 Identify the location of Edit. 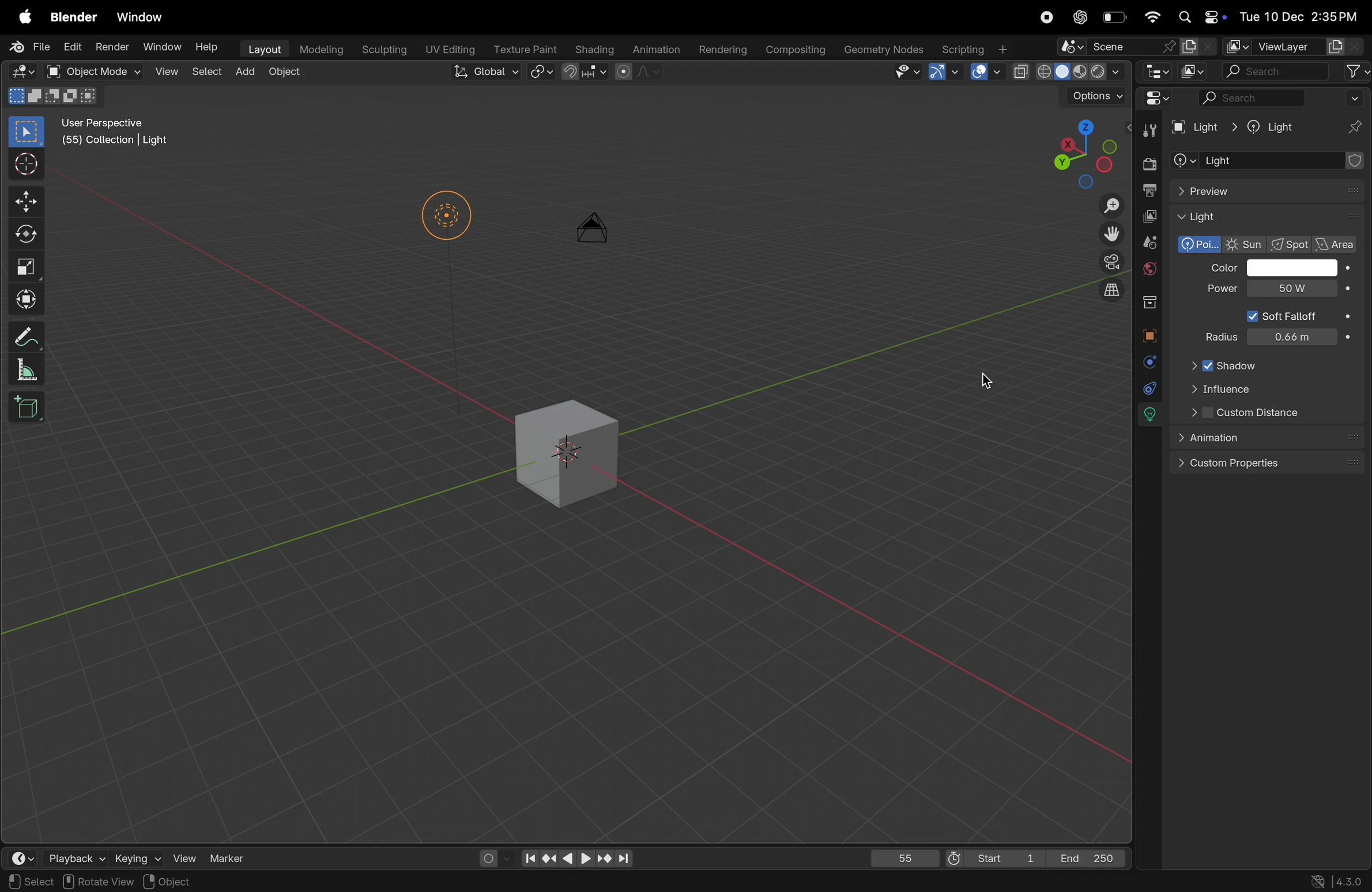
(71, 47).